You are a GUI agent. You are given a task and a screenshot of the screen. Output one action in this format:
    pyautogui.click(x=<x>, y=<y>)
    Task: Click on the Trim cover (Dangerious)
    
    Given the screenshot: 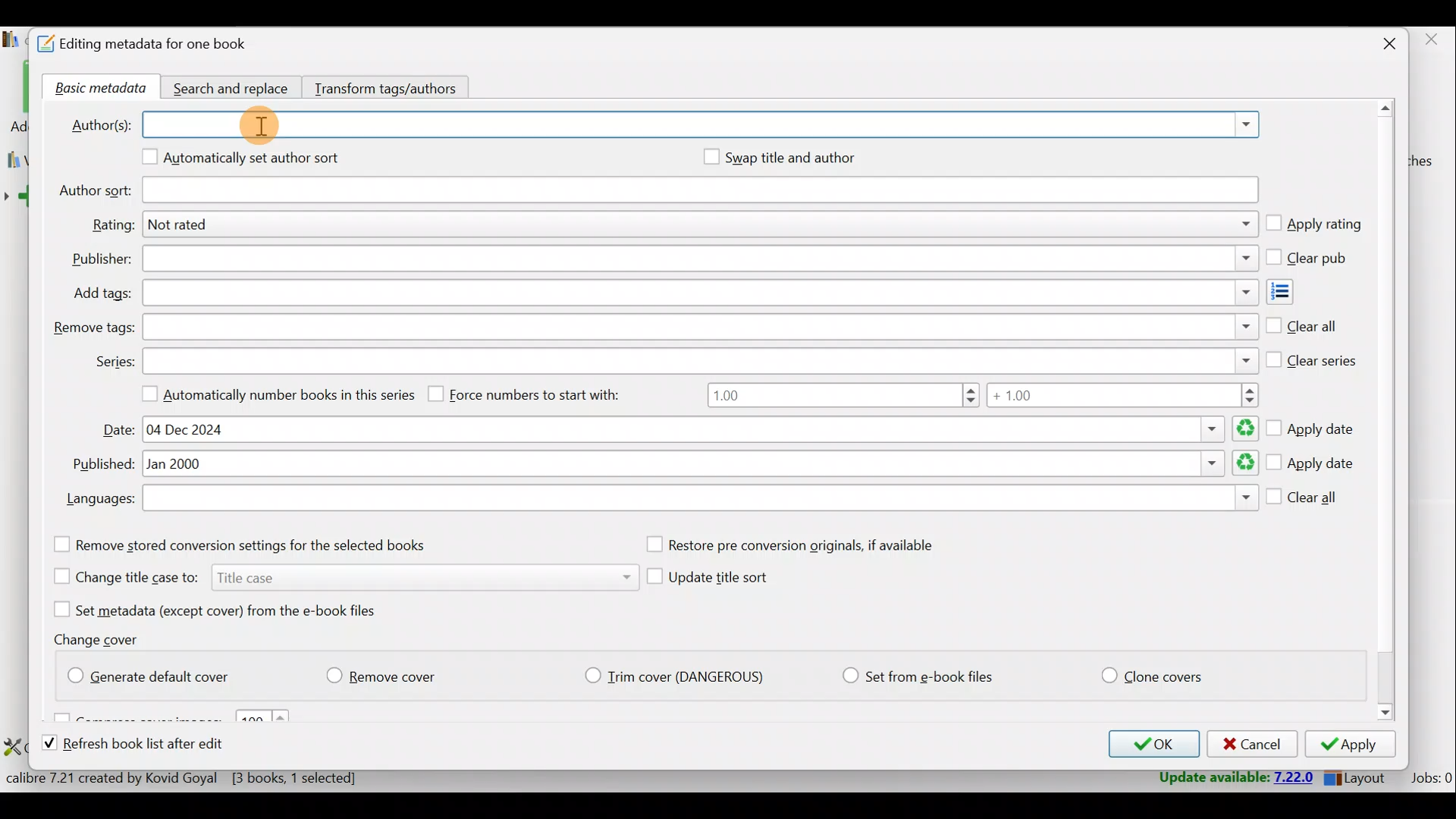 What is the action you would take?
    pyautogui.click(x=679, y=678)
    